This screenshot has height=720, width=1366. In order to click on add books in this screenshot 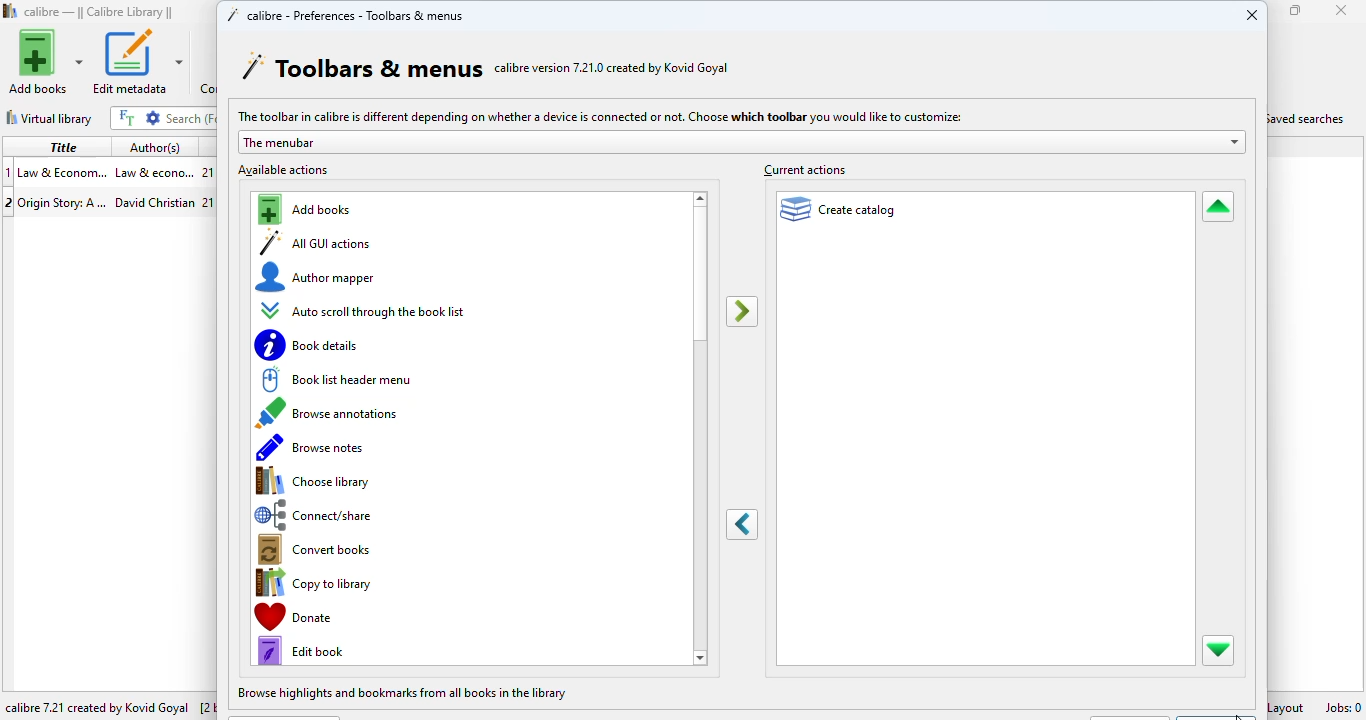, I will do `click(308, 210)`.